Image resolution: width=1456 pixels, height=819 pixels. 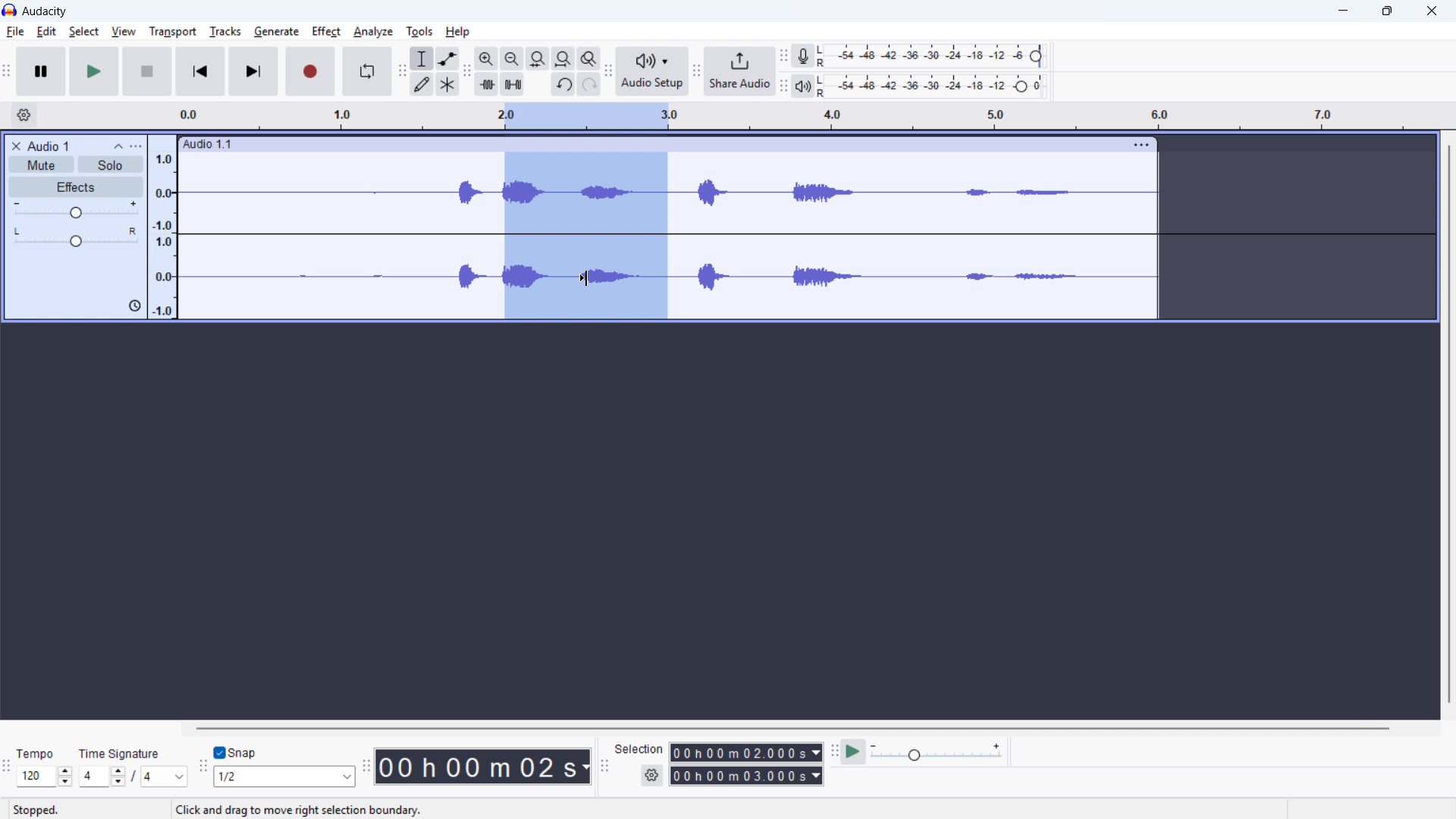 What do you see at coordinates (94, 71) in the screenshot?
I see `Play` at bounding box center [94, 71].